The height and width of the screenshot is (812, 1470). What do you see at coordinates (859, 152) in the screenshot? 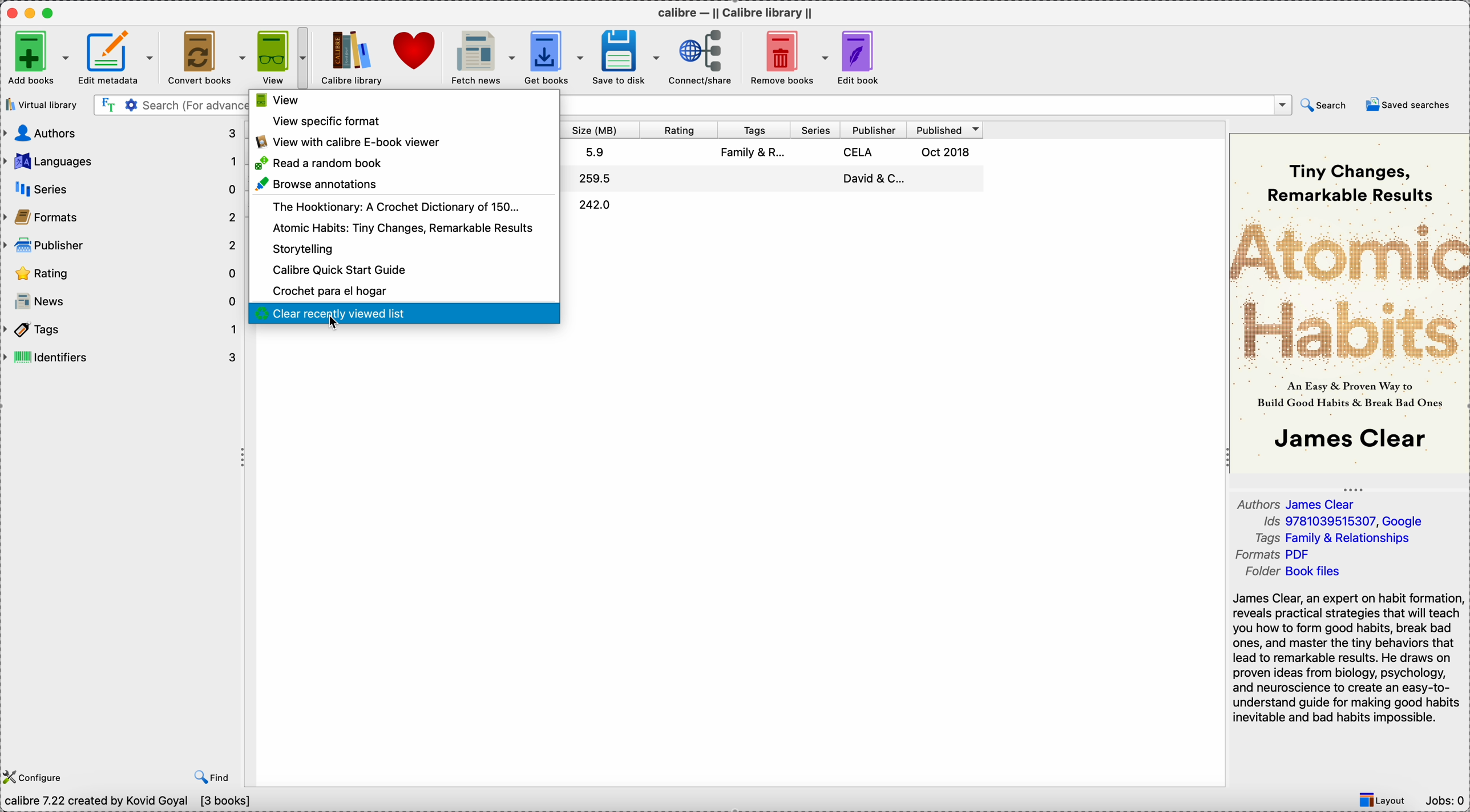
I see `CELA` at bounding box center [859, 152].